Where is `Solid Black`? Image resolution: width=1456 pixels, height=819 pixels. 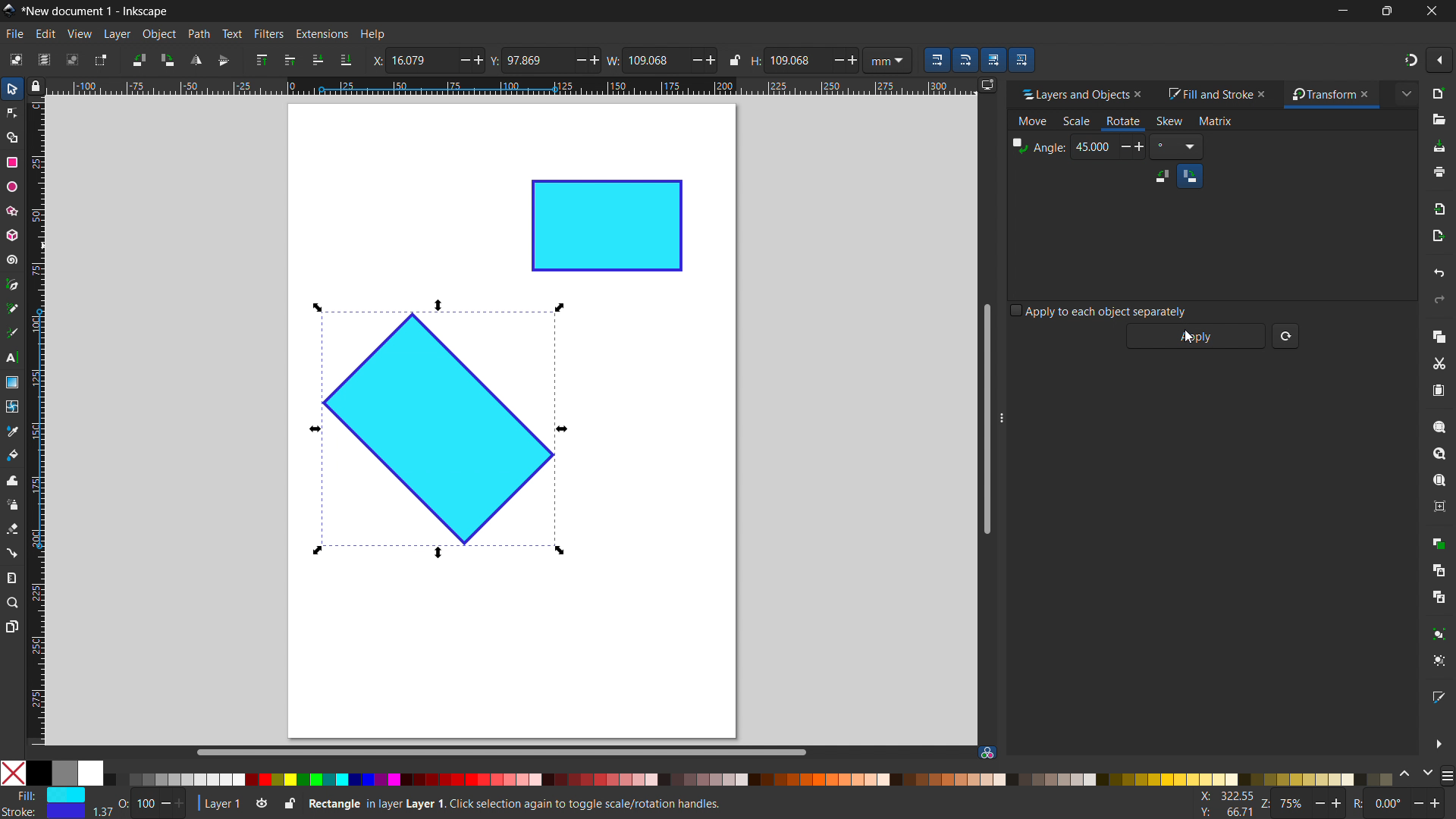 Solid Black is located at coordinates (39, 774).